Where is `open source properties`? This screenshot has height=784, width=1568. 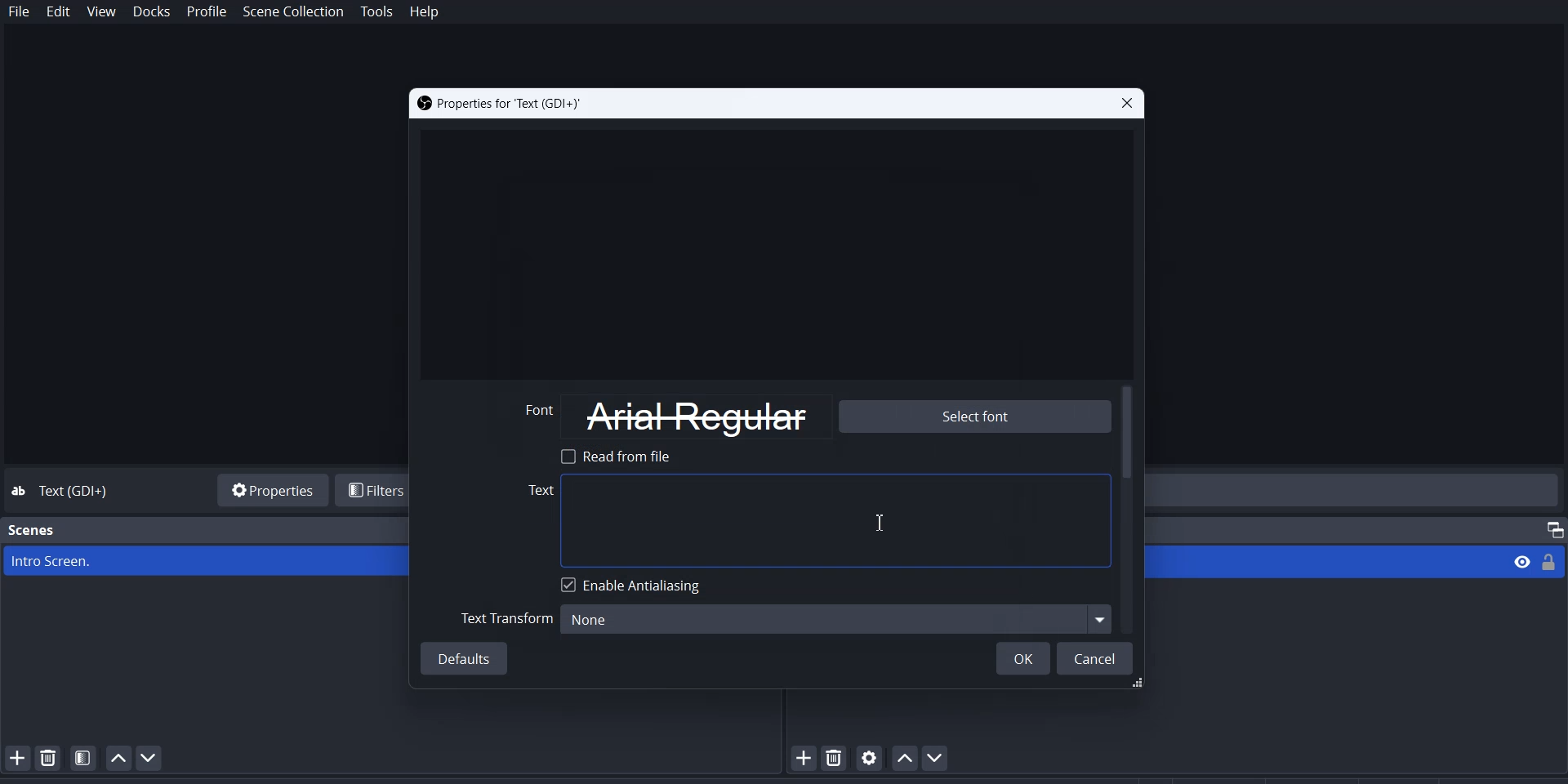 open source properties is located at coordinates (870, 757).